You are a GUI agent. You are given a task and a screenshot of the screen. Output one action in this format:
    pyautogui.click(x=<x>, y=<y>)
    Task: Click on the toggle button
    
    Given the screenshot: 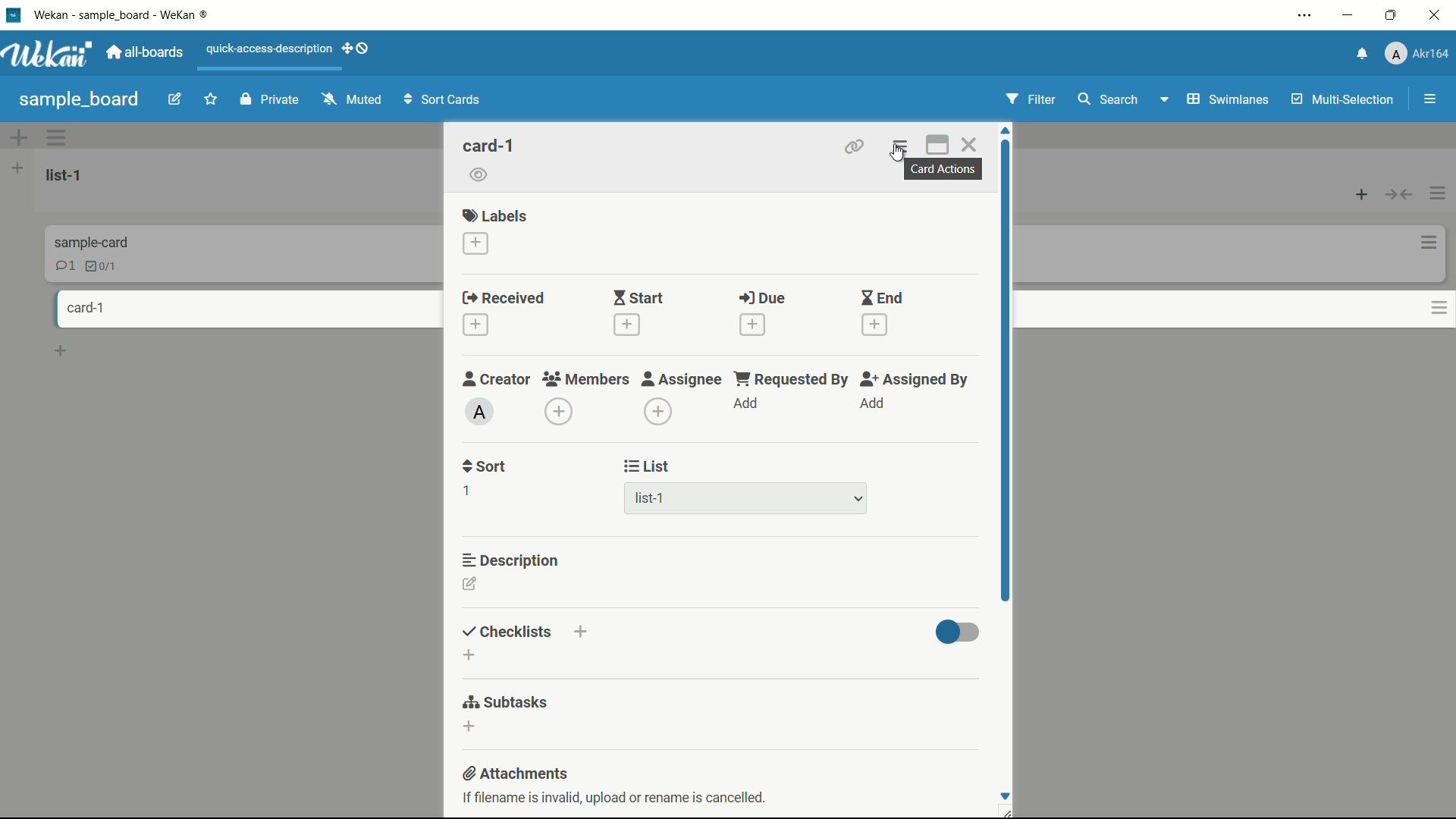 What is the action you would take?
    pyautogui.click(x=956, y=630)
    